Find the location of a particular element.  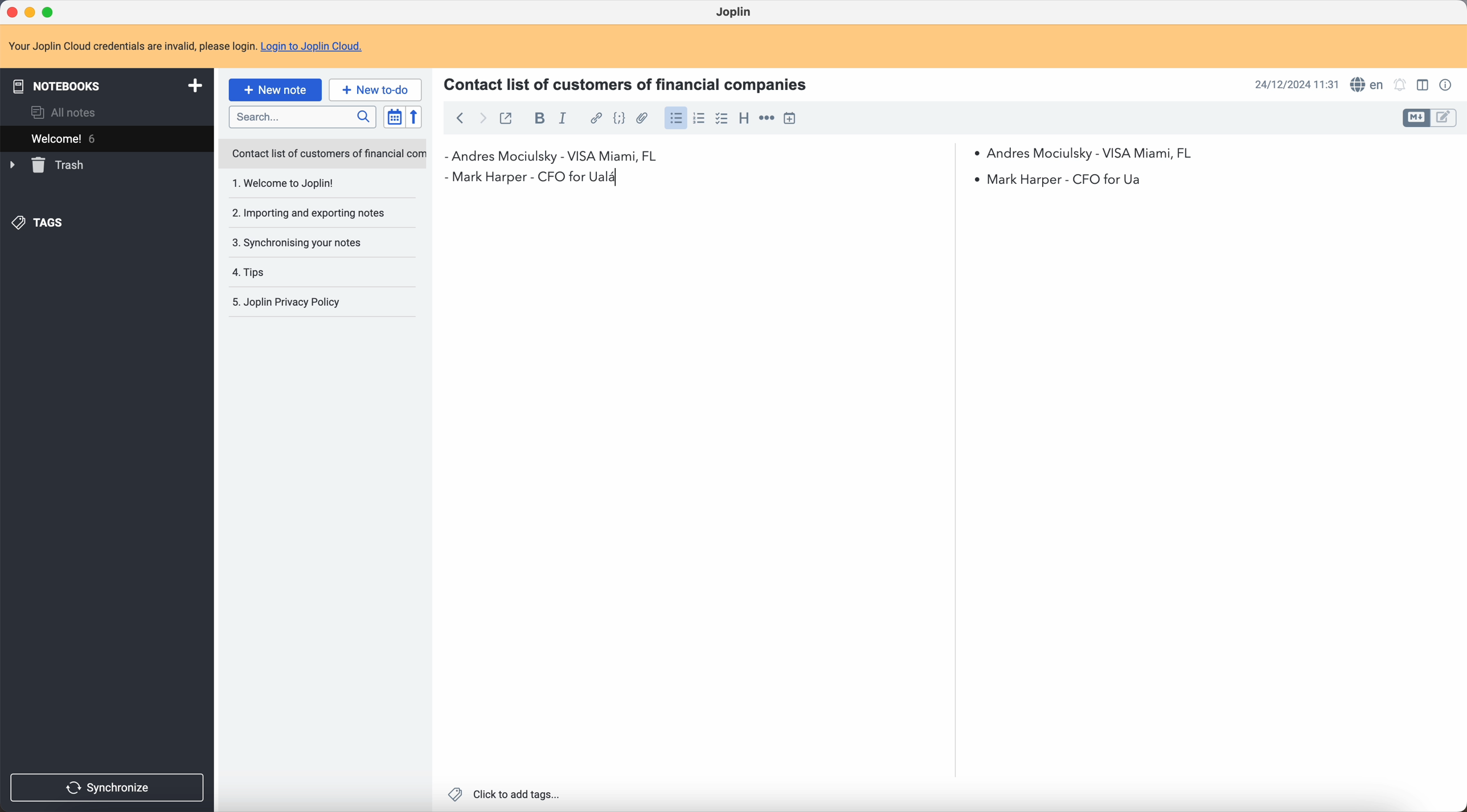

click on bulleted list is located at coordinates (675, 121).